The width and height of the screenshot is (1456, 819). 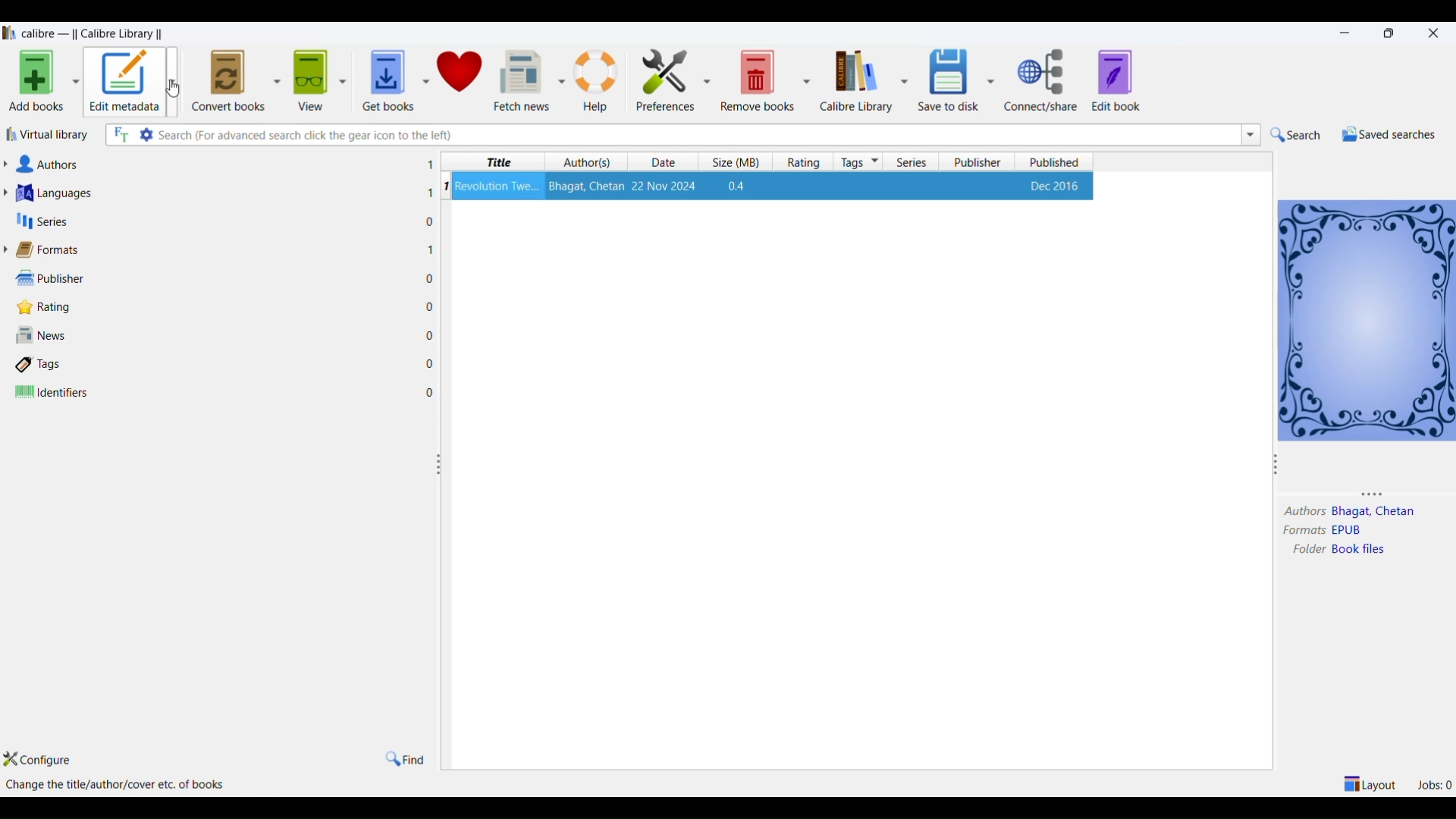 I want to click on minimize, so click(x=1348, y=33).